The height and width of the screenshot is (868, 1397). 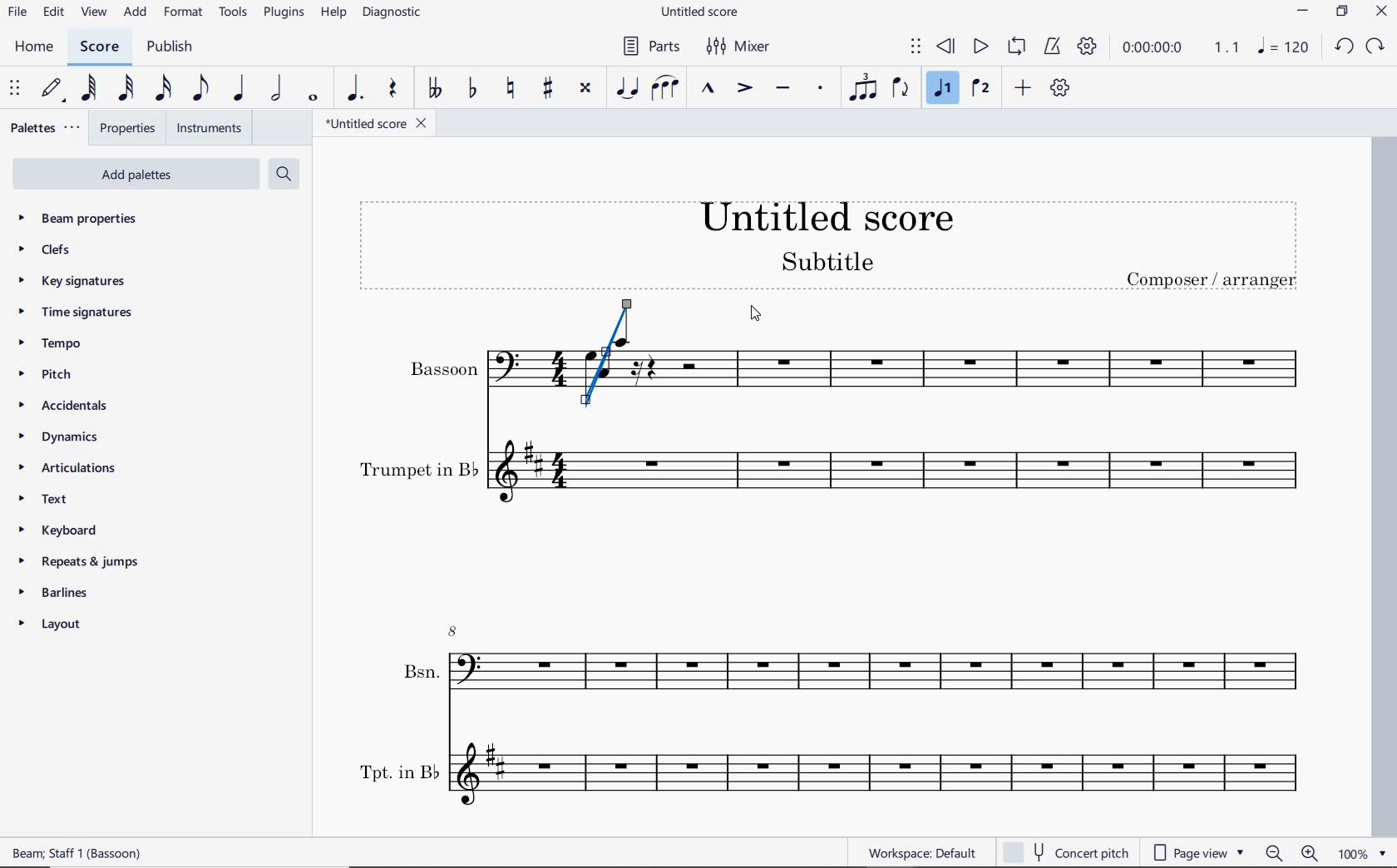 What do you see at coordinates (474, 87) in the screenshot?
I see `toggle flat` at bounding box center [474, 87].